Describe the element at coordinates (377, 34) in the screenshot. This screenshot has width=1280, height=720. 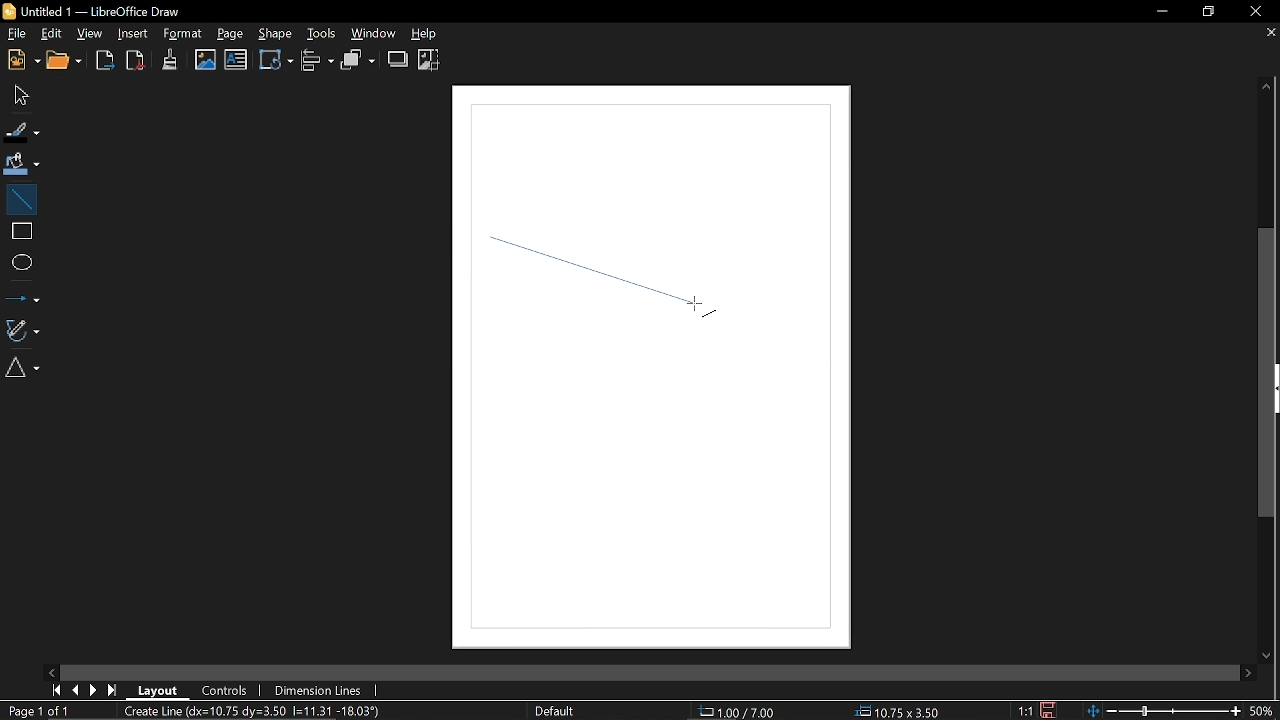
I see `Window` at that location.